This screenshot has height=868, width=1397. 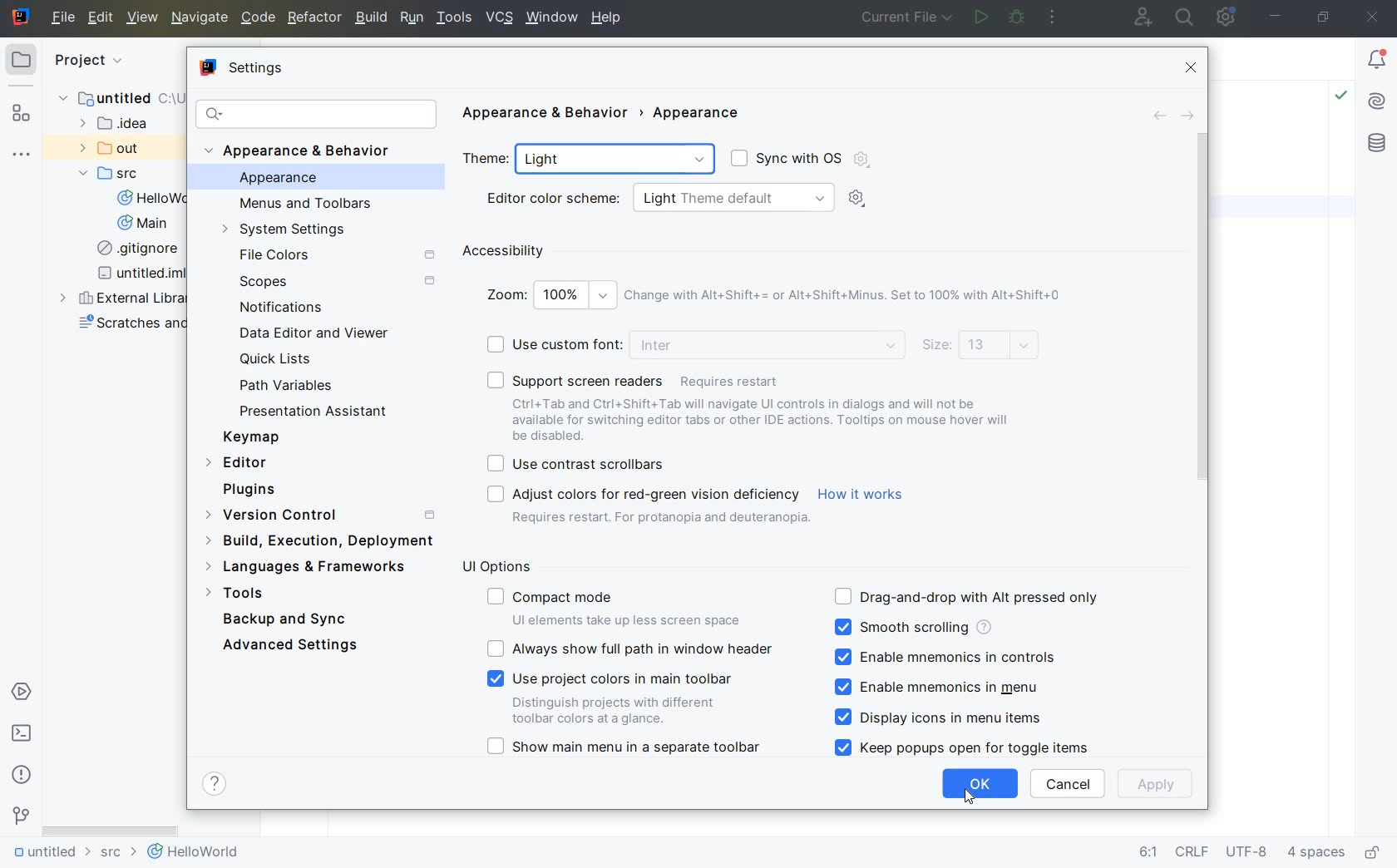 I want to click on NOTIFICATIONS, so click(x=278, y=308).